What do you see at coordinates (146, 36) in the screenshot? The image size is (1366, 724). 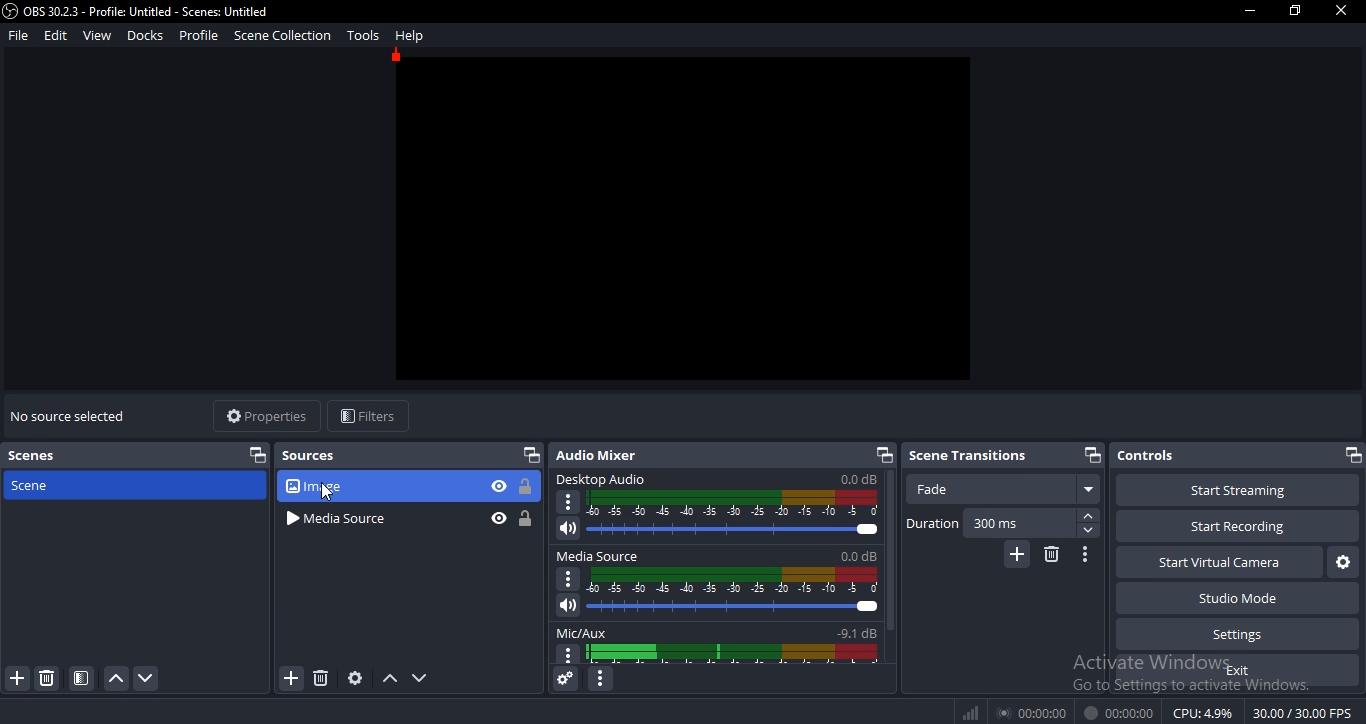 I see `docks` at bounding box center [146, 36].